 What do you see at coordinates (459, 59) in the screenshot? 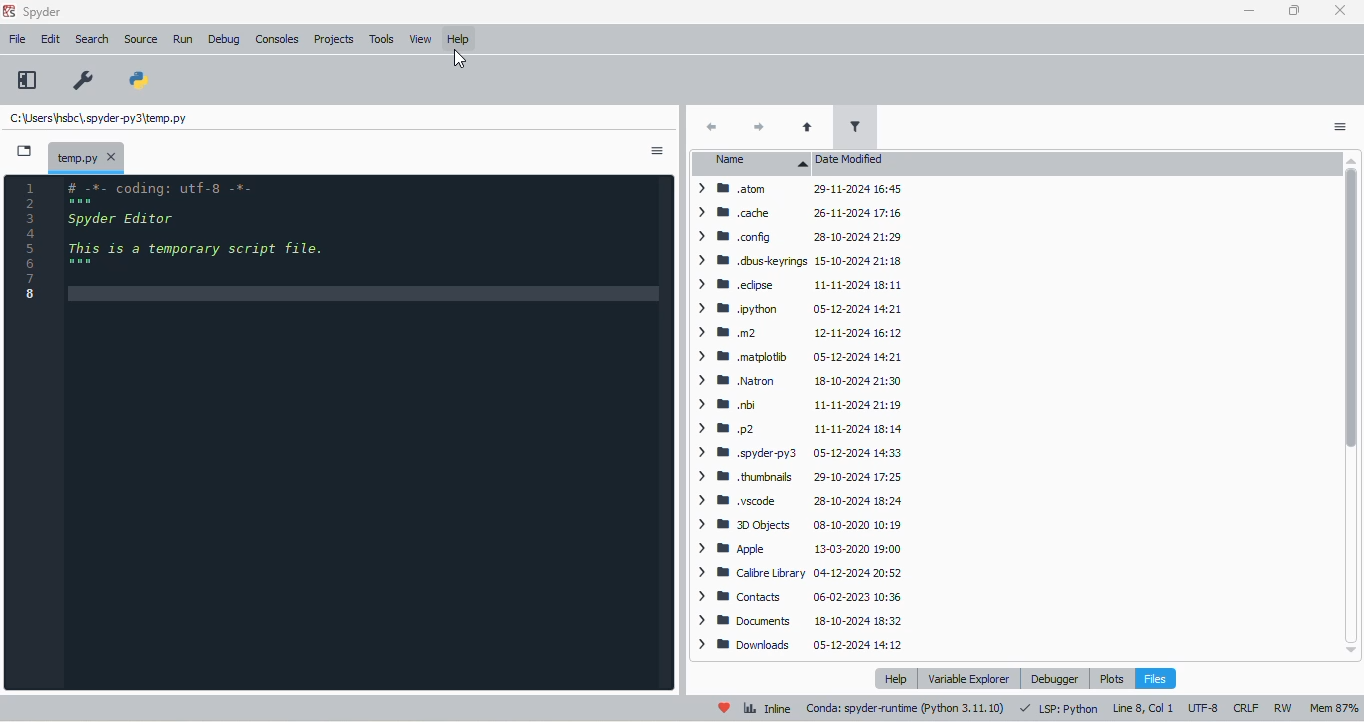
I see `cursor` at bounding box center [459, 59].